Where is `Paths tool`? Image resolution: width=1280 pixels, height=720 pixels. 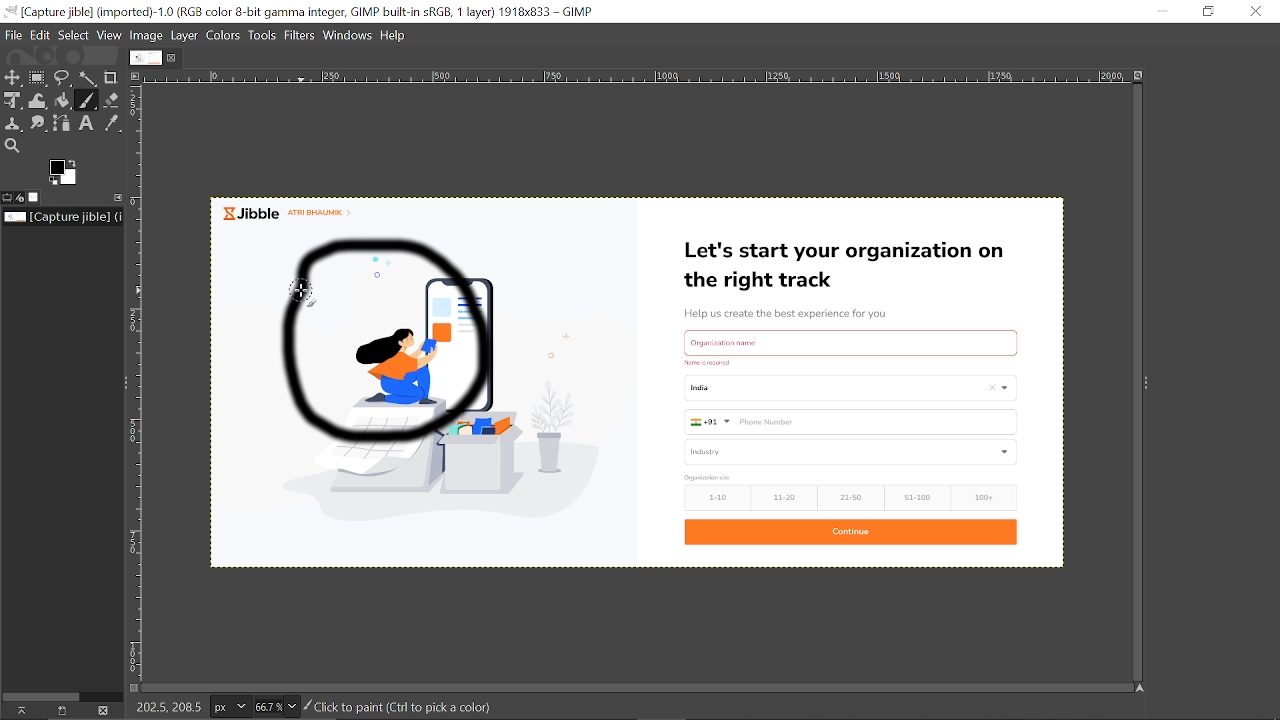 Paths tool is located at coordinates (64, 124).